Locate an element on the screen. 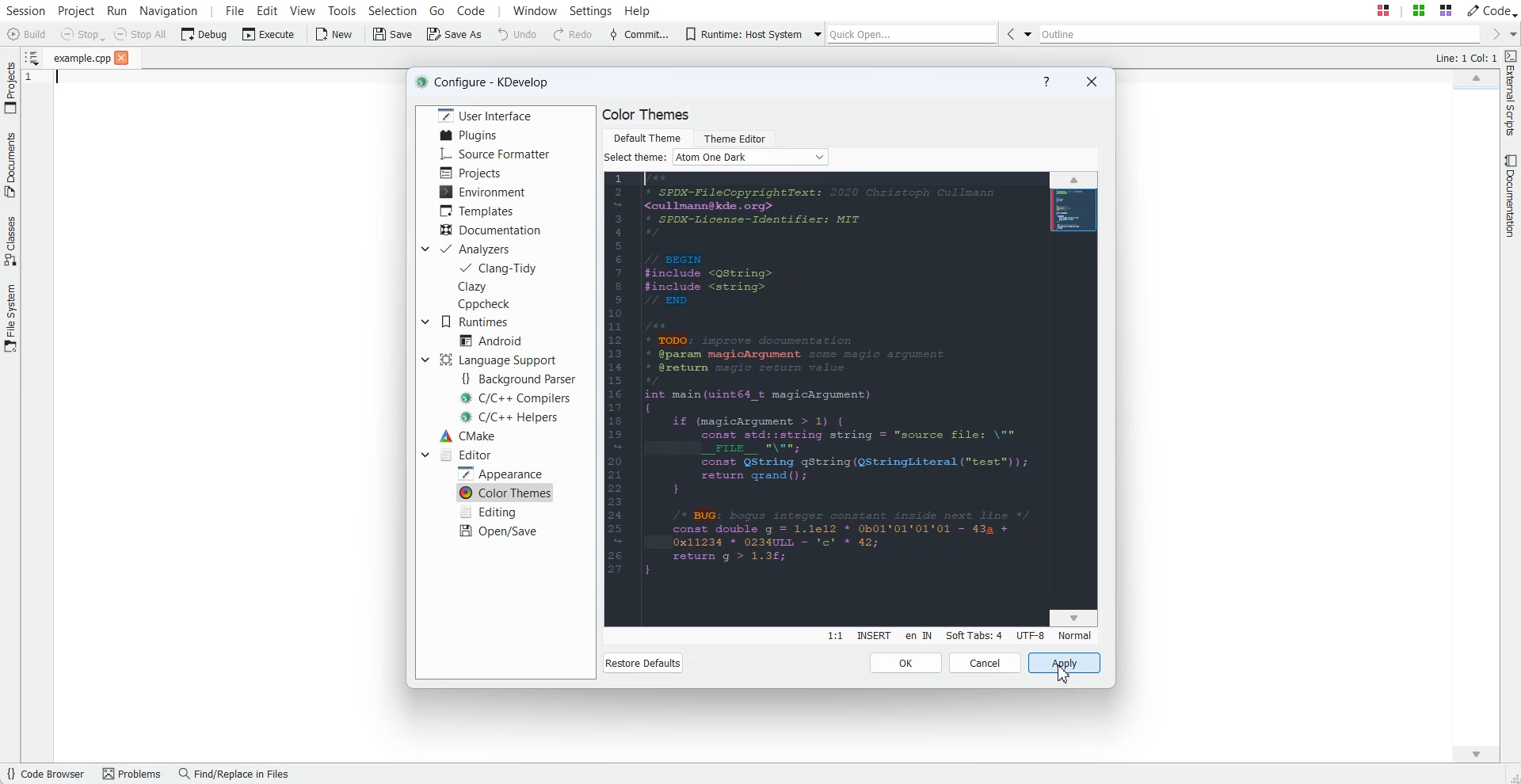 This screenshot has height=784, width=1521. Apperarnce is located at coordinates (504, 473).